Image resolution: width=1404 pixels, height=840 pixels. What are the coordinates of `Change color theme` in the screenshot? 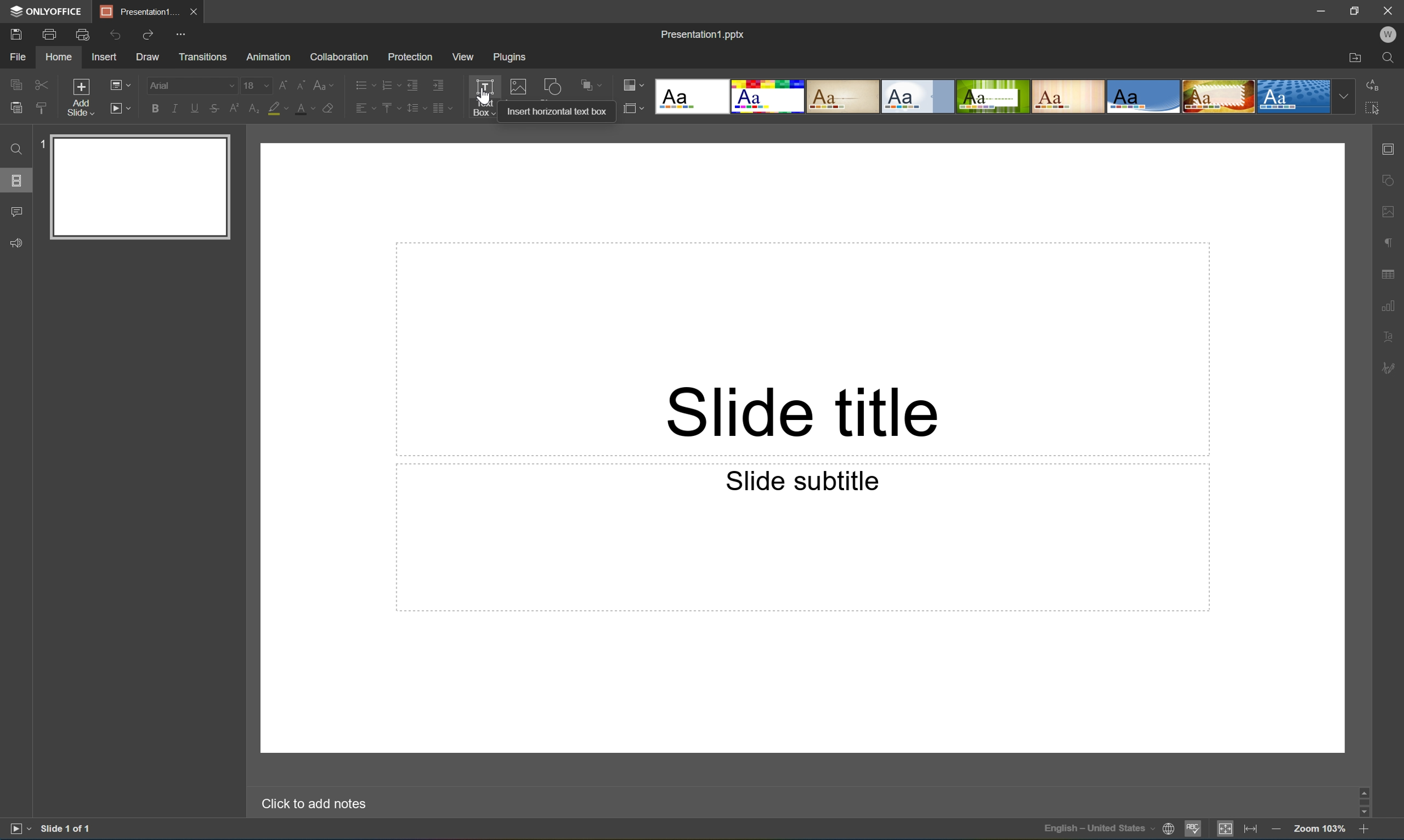 It's located at (633, 86).